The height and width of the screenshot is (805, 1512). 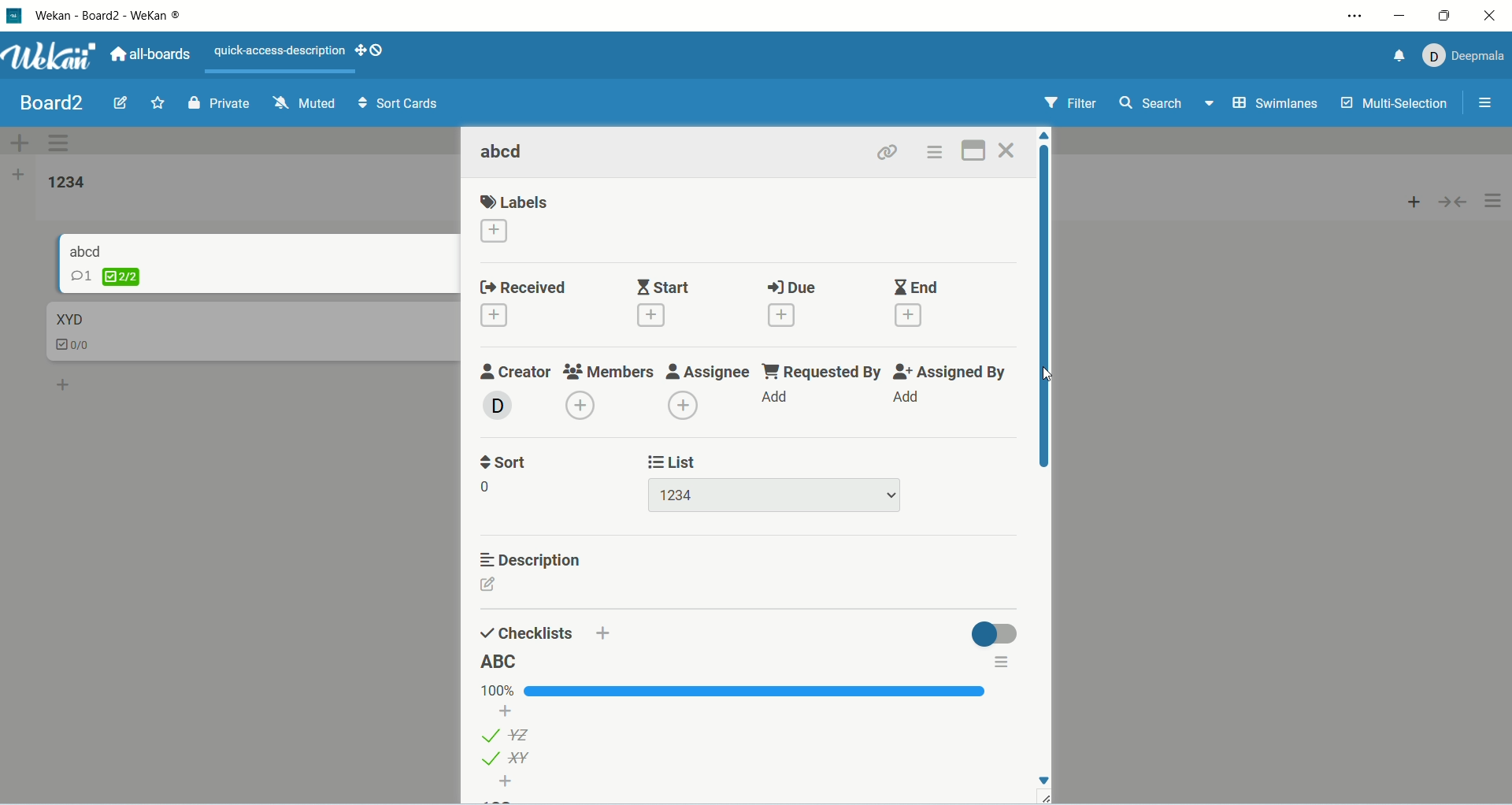 What do you see at coordinates (69, 318) in the screenshot?
I see `card title` at bounding box center [69, 318].